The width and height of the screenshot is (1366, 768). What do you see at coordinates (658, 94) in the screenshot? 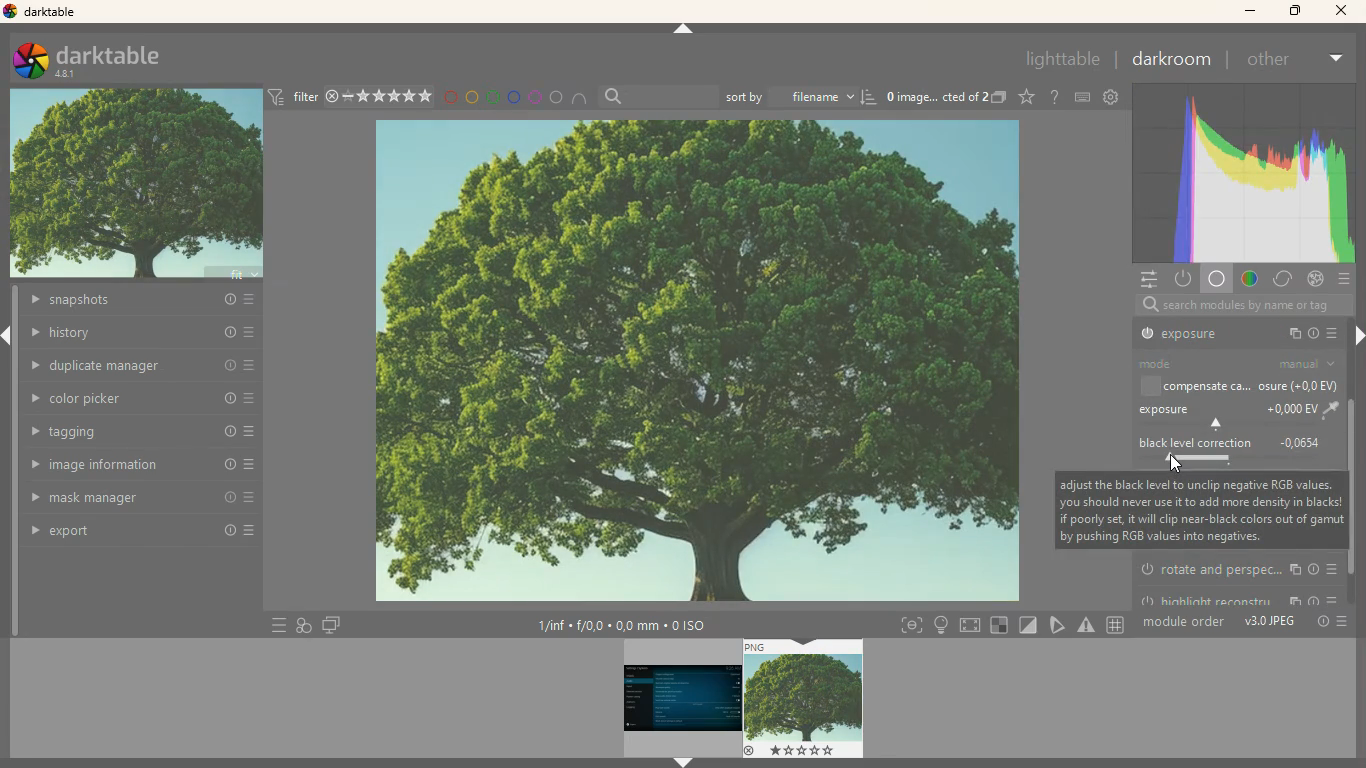
I see `search` at bounding box center [658, 94].